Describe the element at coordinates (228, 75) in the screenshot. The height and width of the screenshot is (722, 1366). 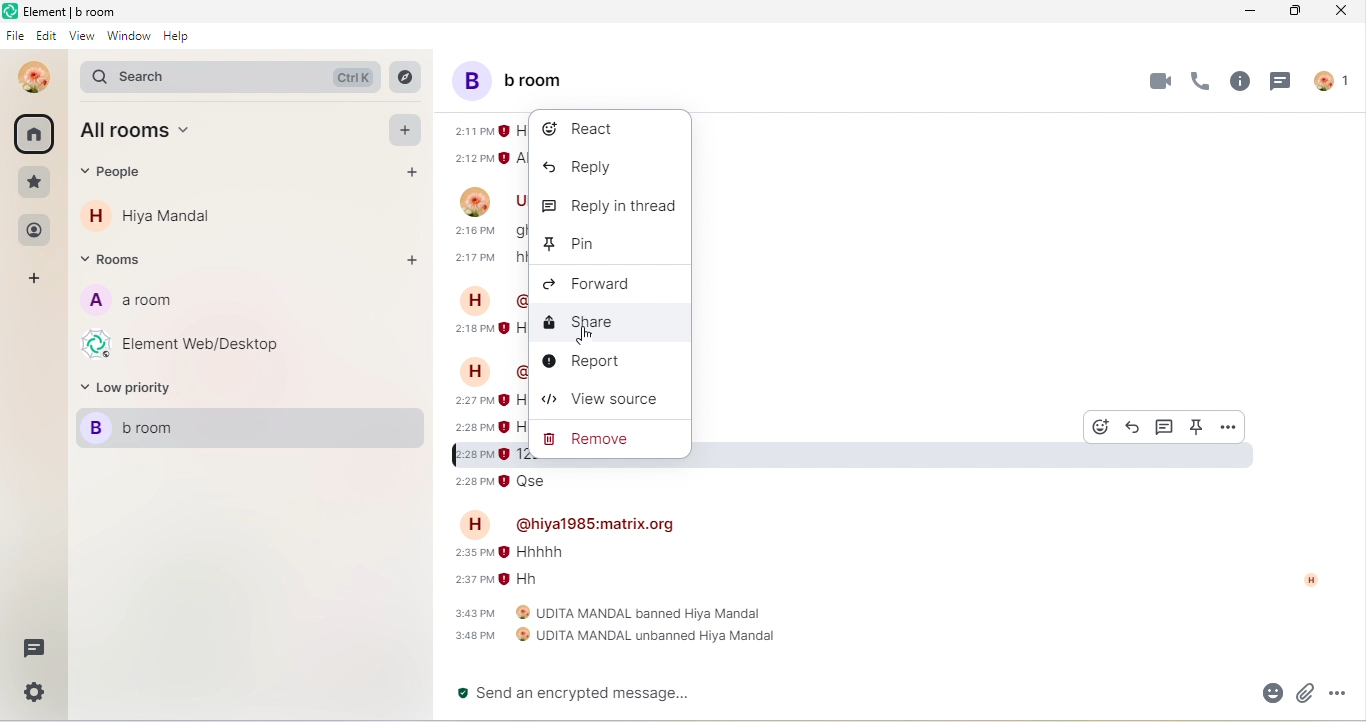
I see `search` at that location.